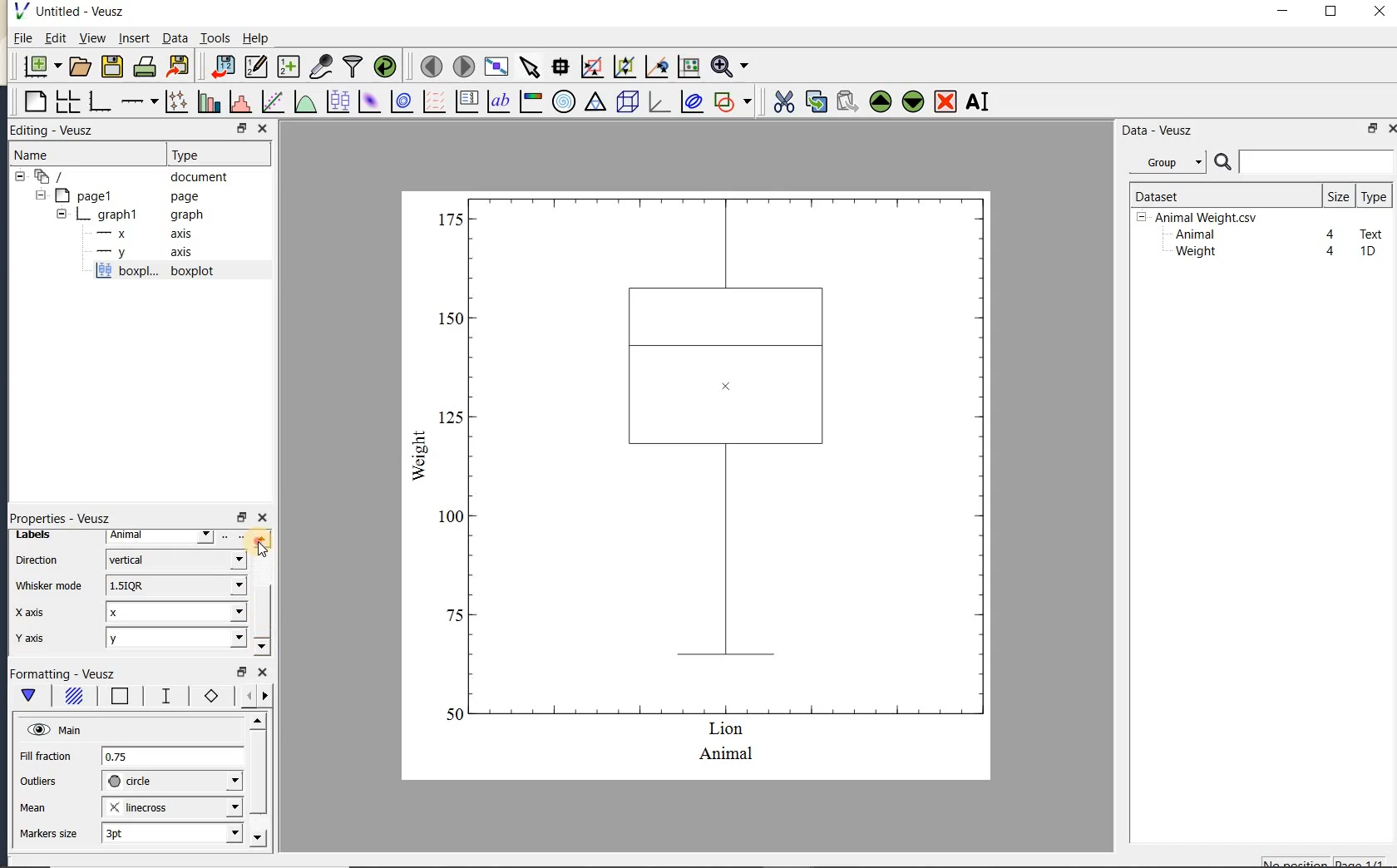 The width and height of the screenshot is (1397, 868). Describe the element at coordinates (241, 517) in the screenshot. I see `restore` at that location.